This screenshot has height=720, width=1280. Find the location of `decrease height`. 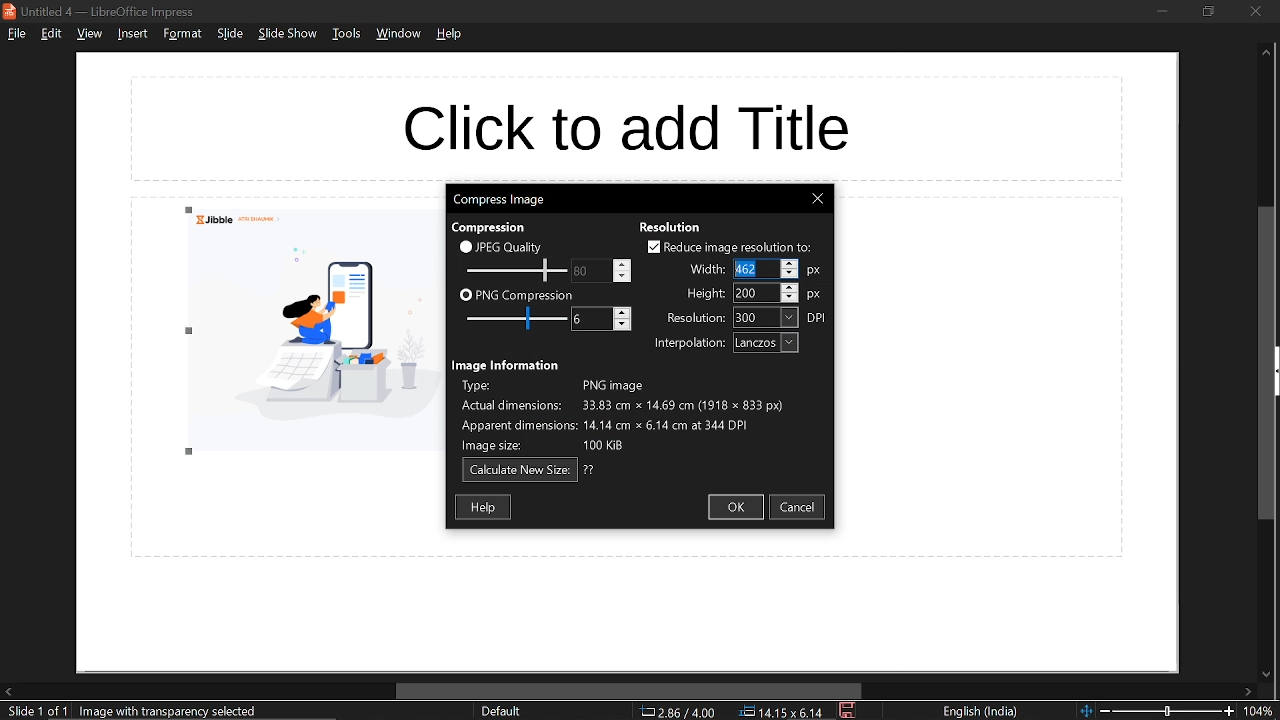

decrease height is located at coordinates (790, 297).